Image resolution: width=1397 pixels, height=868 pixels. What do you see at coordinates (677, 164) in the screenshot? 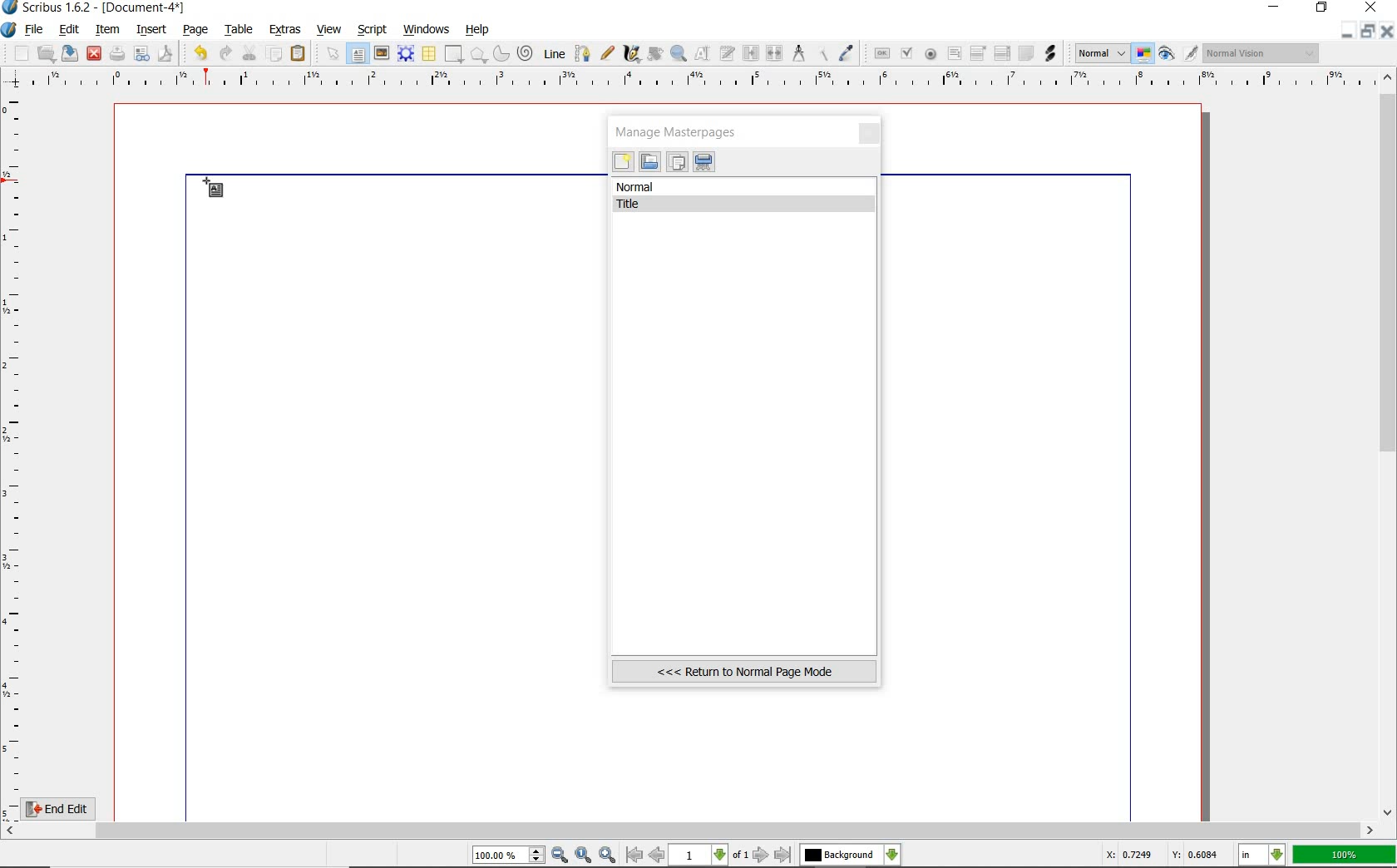
I see `duplicate the selected masterpages` at bounding box center [677, 164].